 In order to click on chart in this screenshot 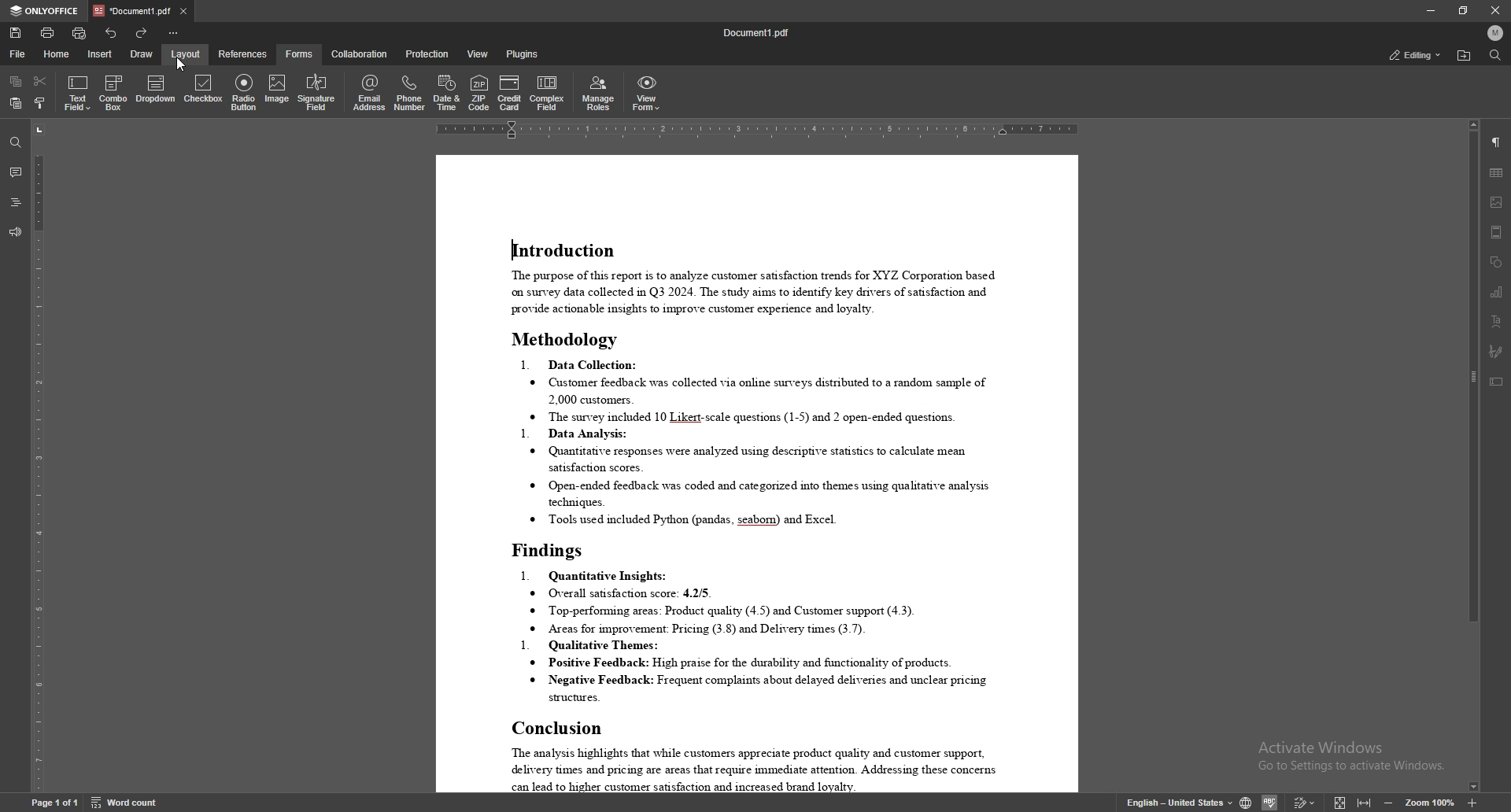, I will do `click(1497, 291)`.